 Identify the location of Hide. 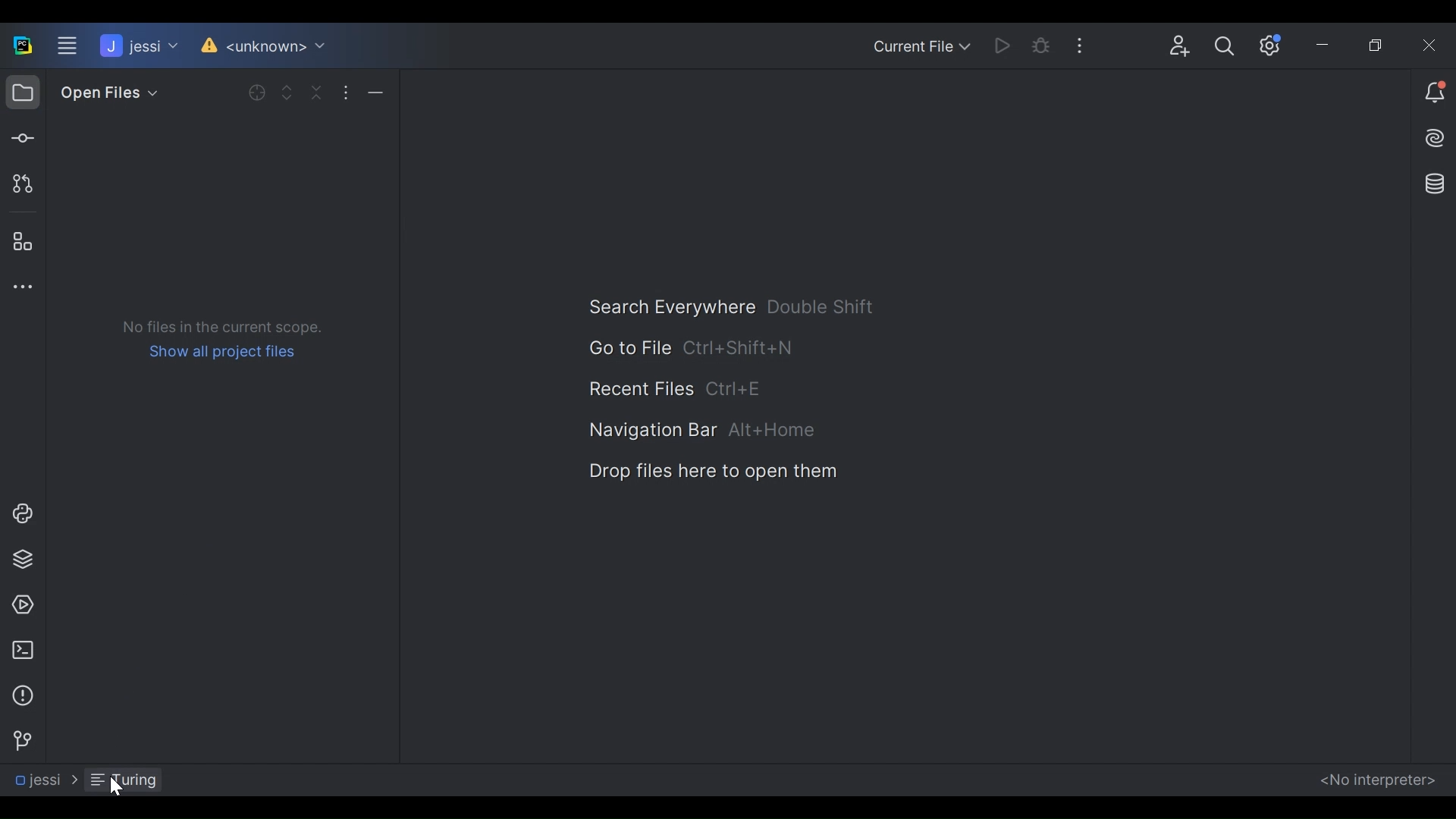
(374, 91).